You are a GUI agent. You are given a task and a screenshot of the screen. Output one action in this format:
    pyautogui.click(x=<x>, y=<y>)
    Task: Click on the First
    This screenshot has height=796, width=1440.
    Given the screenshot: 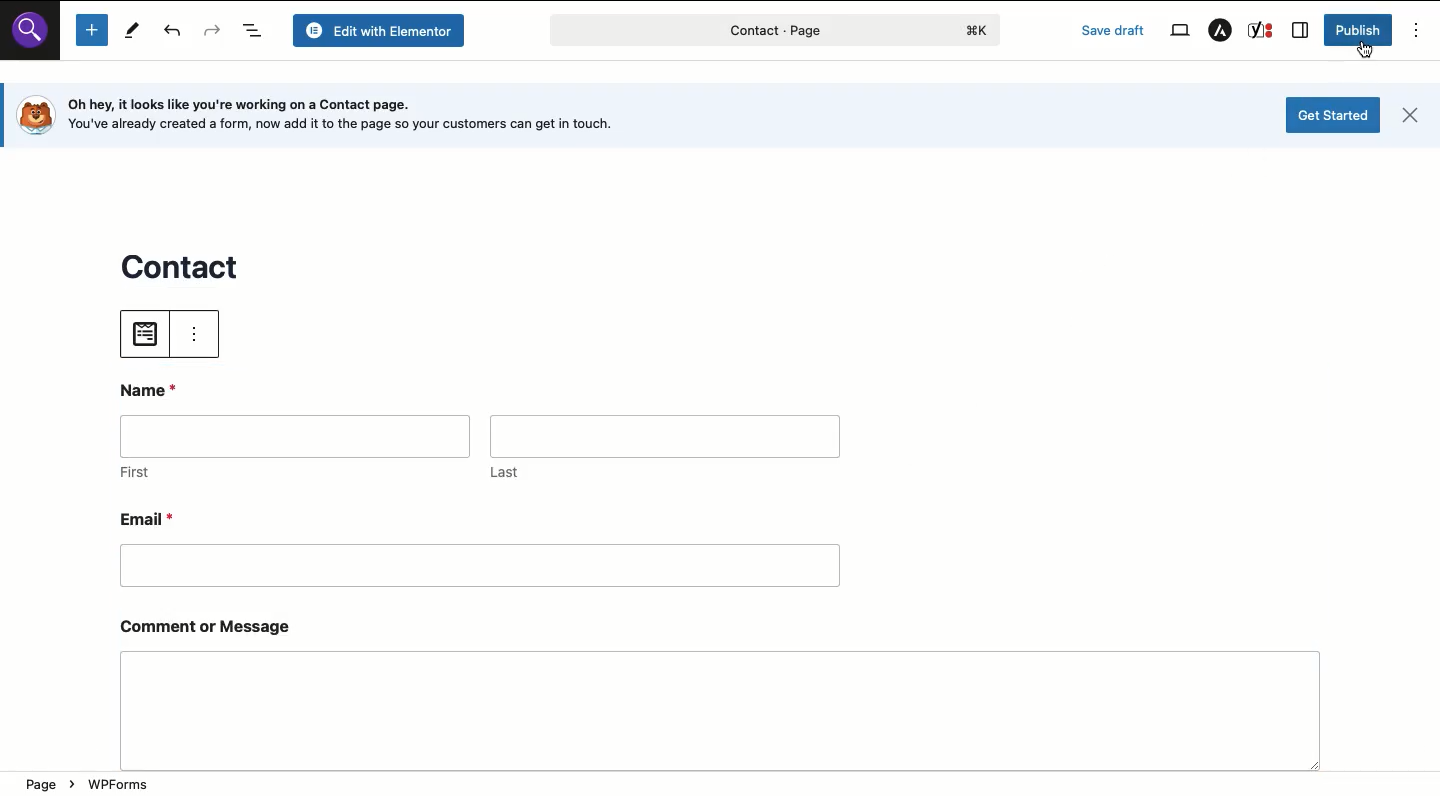 What is the action you would take?
    pyautogui.click(x=296, y=450)
    